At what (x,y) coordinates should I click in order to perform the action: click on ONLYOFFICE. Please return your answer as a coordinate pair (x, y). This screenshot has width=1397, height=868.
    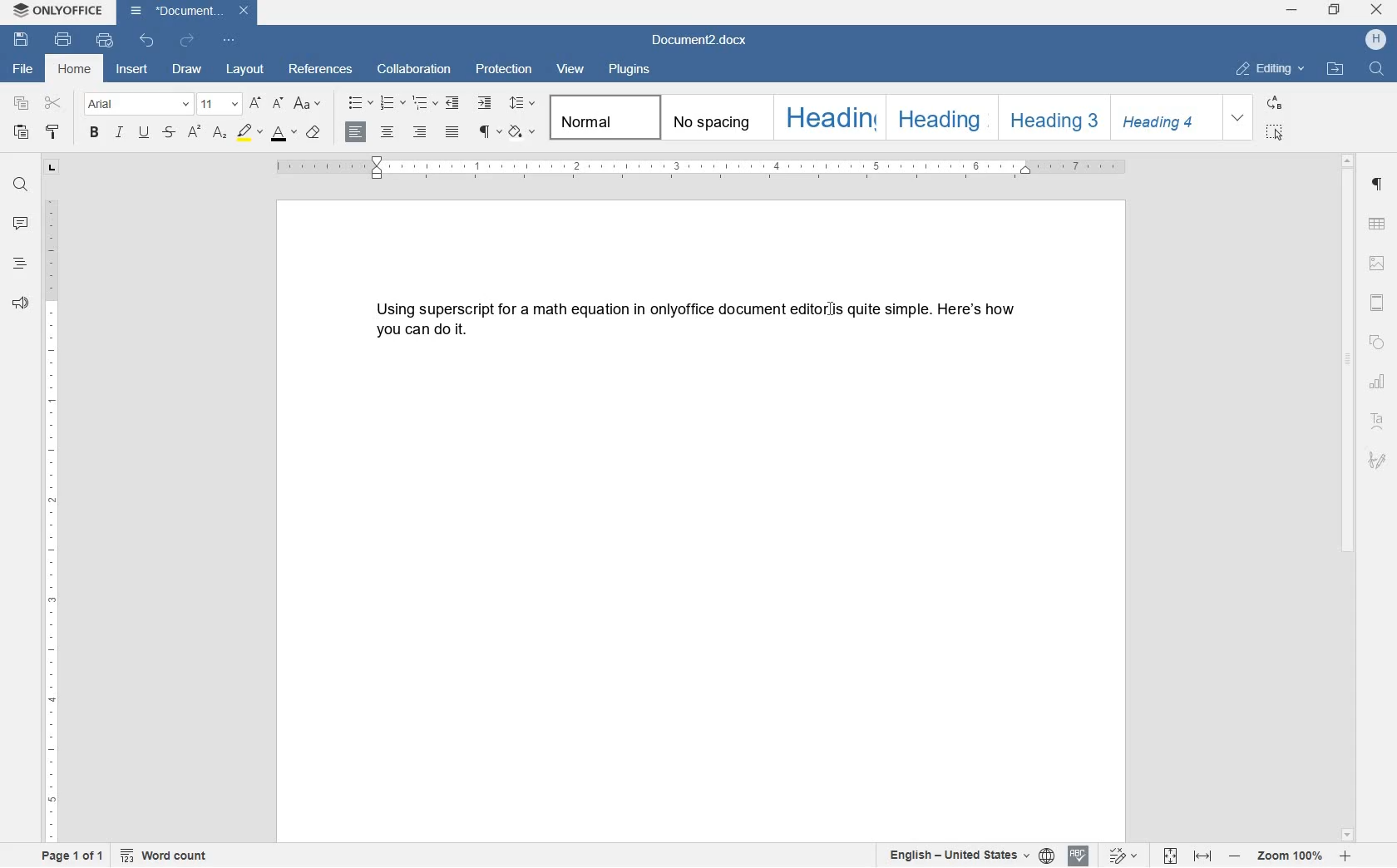
    Looking at the image, I should click on (57, 11).